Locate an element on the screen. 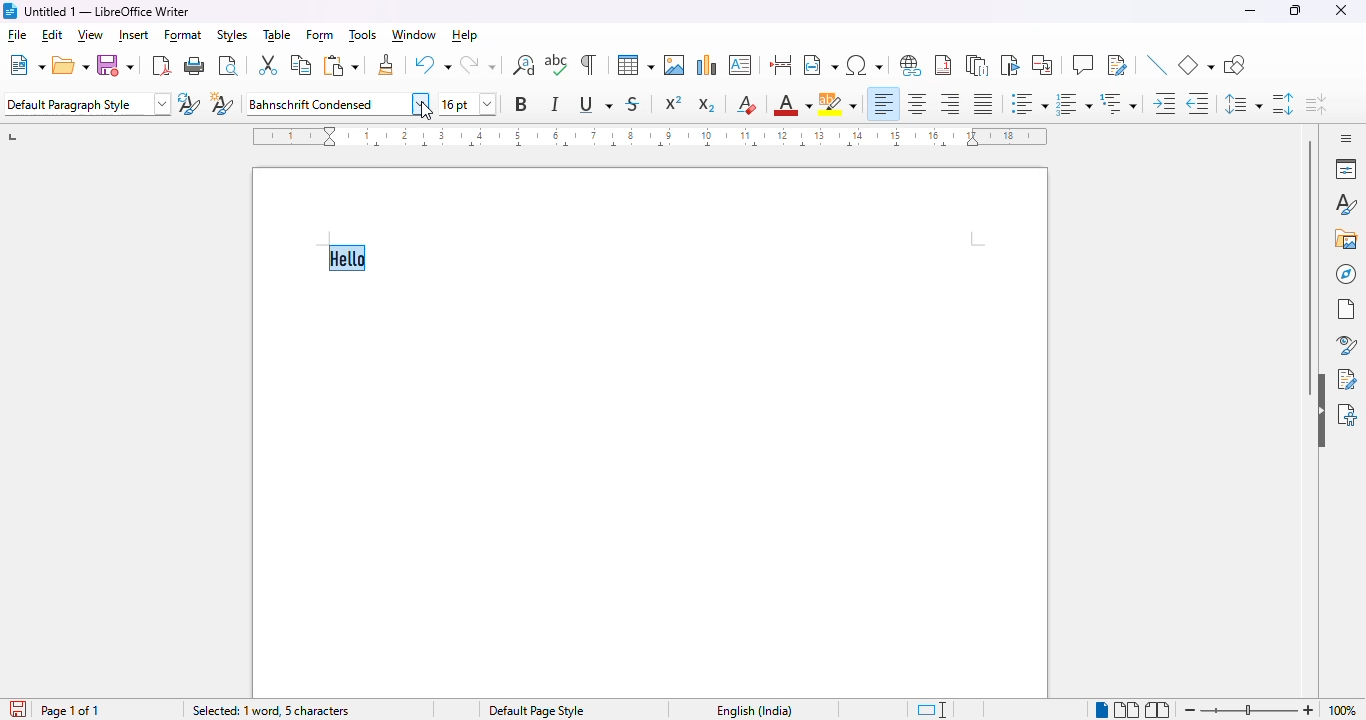  hello is located at coordinates (349, 259).